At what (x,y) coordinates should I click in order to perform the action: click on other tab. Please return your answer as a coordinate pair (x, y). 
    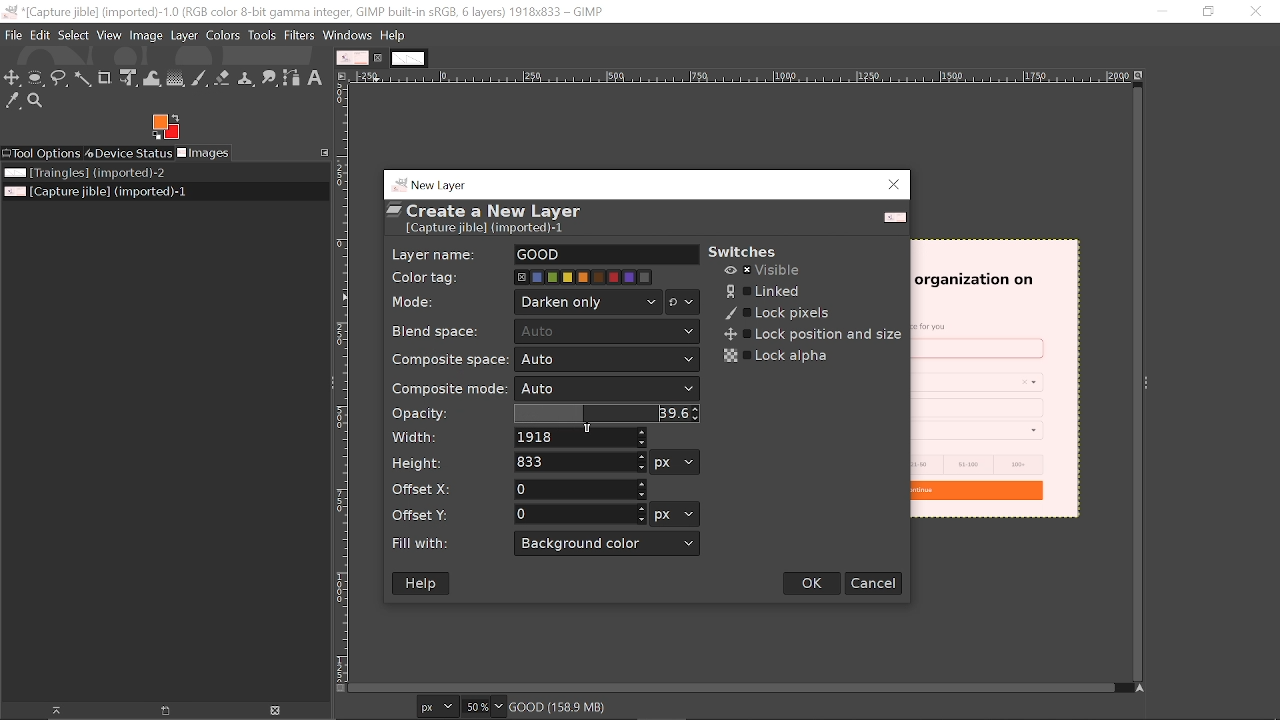
    Looking at the image, I should click on (409, 59).